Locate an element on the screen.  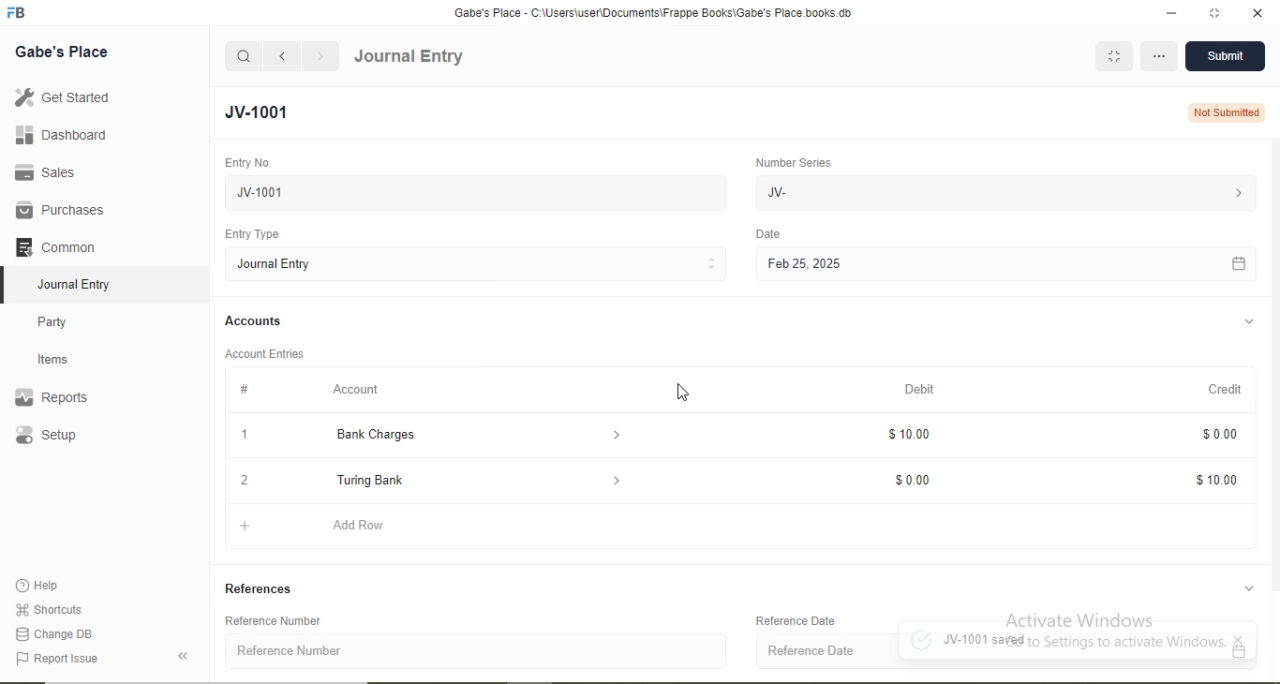
Reports is located at coordinates (61, 398).